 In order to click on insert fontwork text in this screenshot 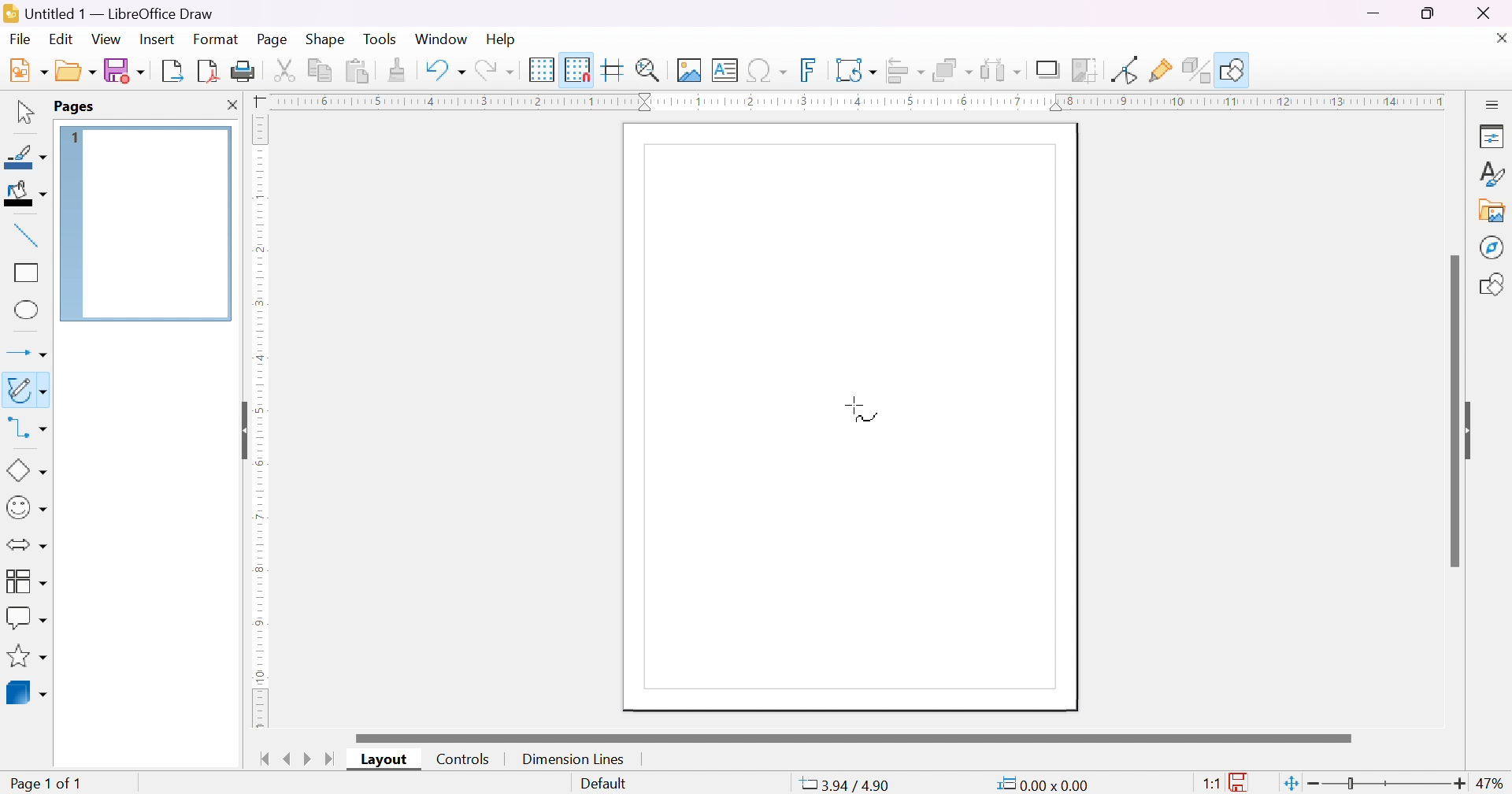, I will do `click(809, 69)`.